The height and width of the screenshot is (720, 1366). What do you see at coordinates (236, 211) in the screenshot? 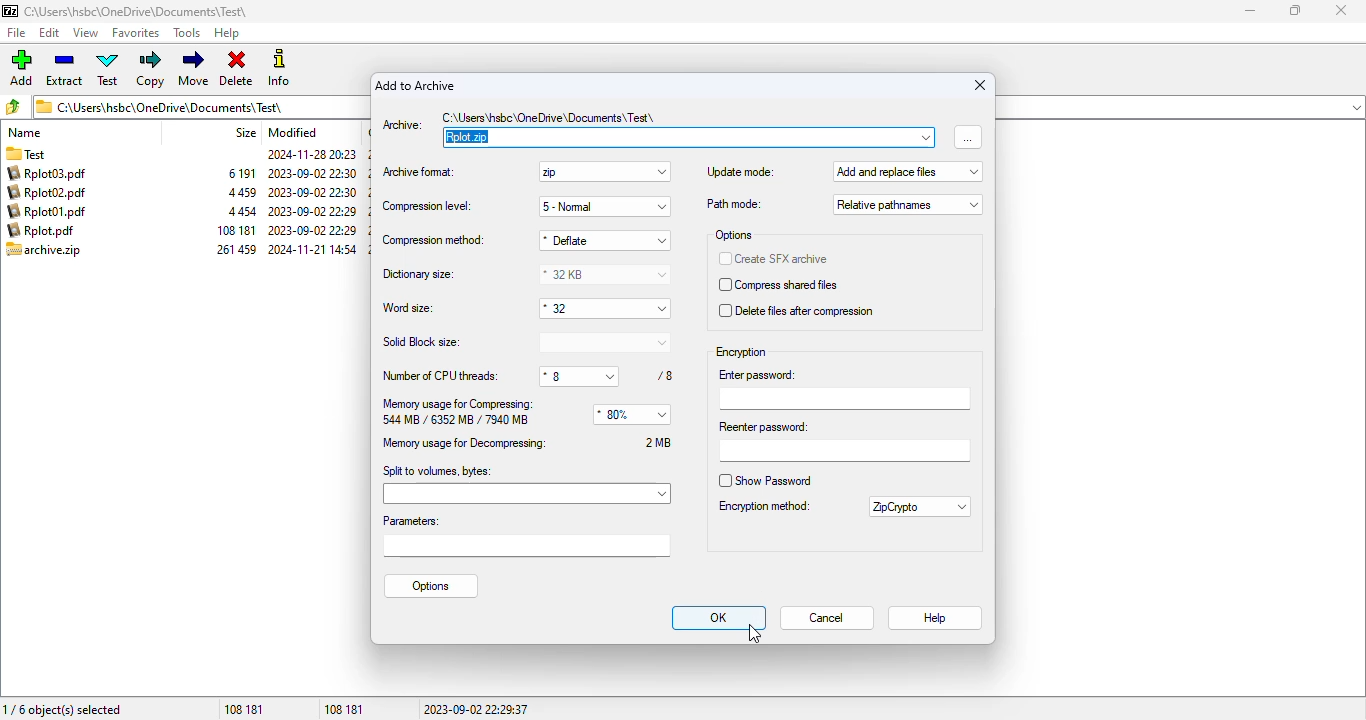
I see `archive` at bounding box center [236, 211].